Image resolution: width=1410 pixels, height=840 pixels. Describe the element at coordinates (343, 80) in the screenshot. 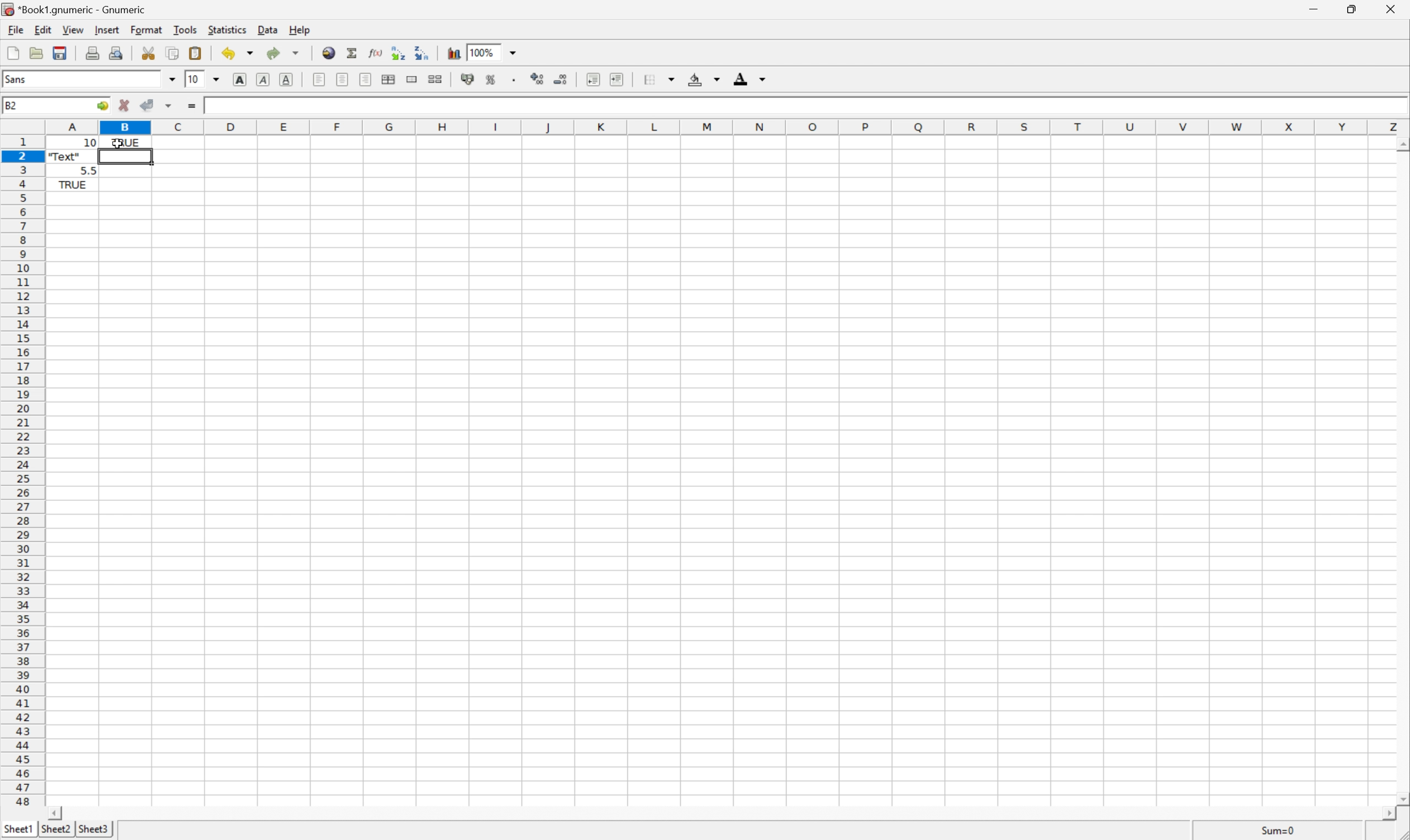

I see `Center Horizontally` at that location.